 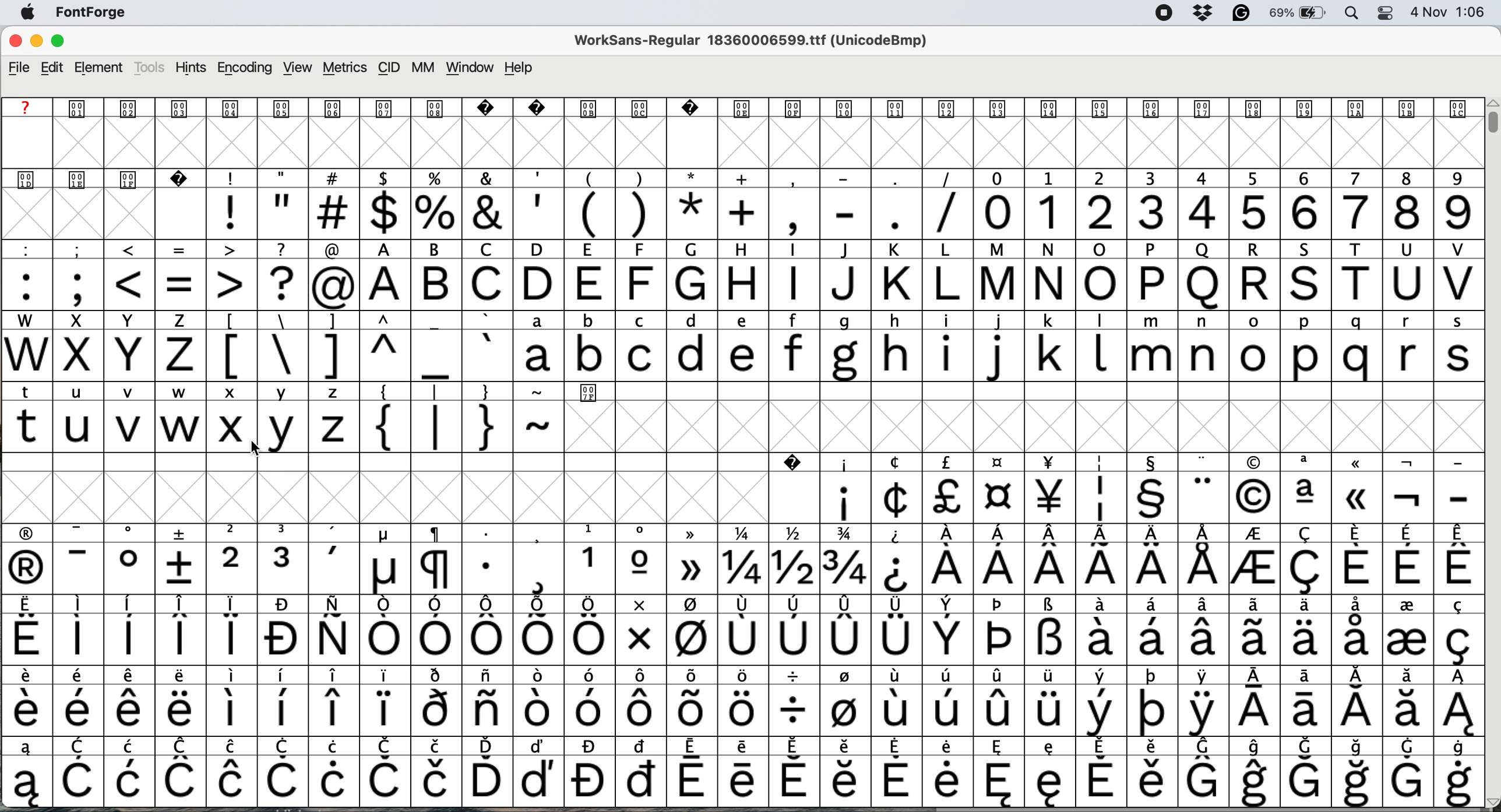 I want to click on special characters, so click(x=383, y=641).